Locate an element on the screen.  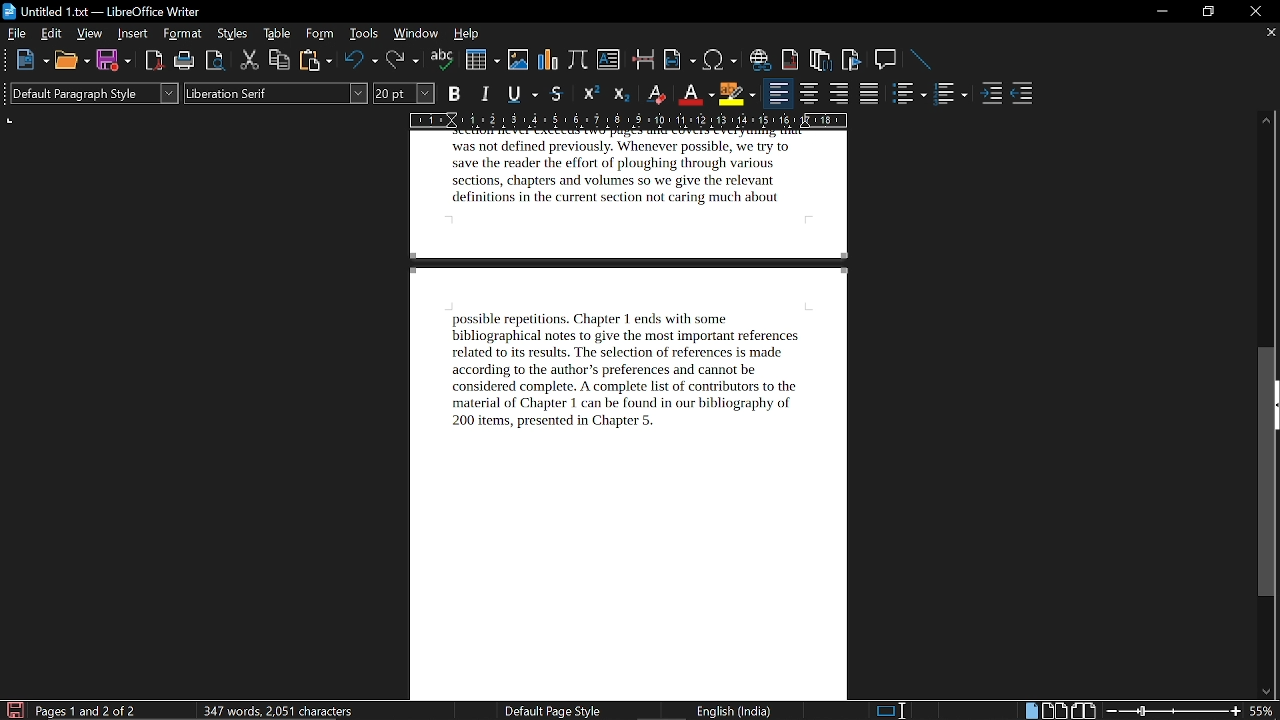
font size is located at coordinates (405, 93).